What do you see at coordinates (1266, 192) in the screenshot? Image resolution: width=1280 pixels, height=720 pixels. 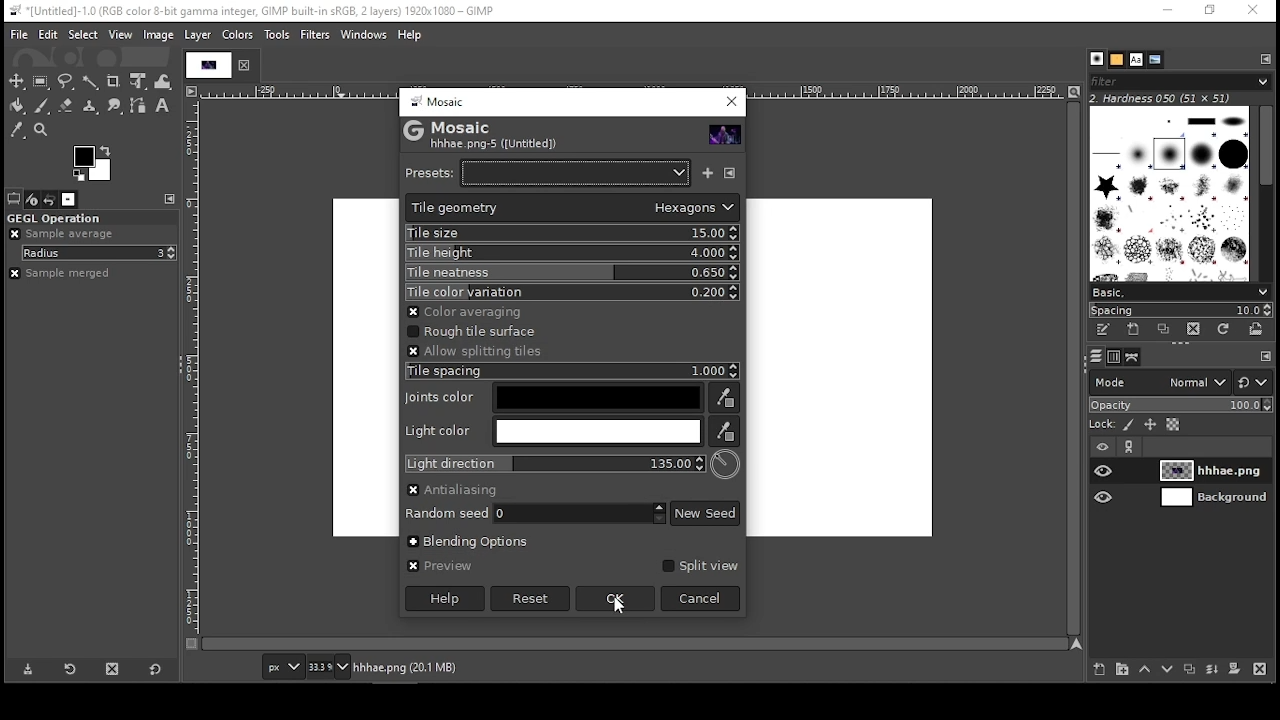 I see `scroll bar` at bounding box center [1266, 192].